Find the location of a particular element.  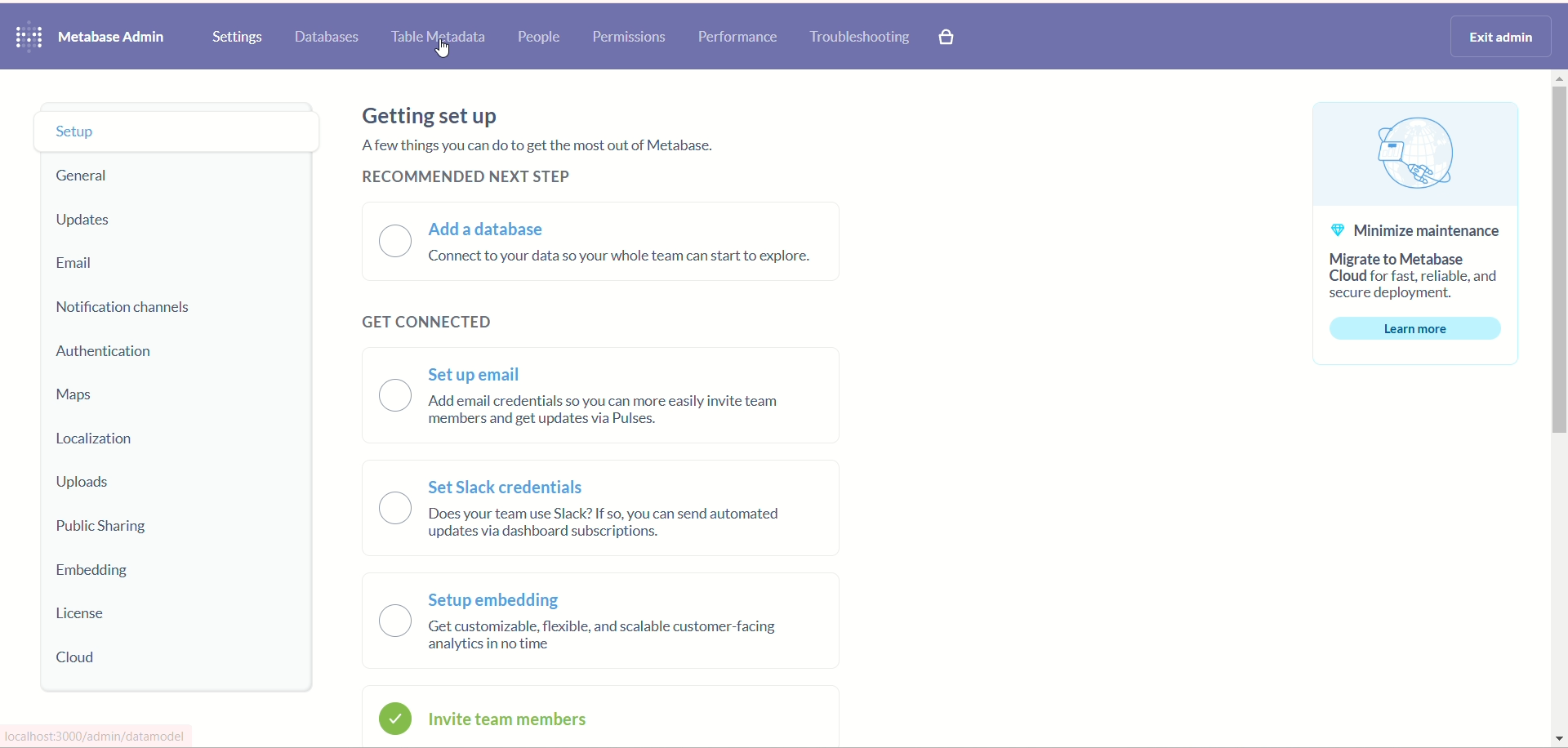

permissions is located at coordinates (633, 37).